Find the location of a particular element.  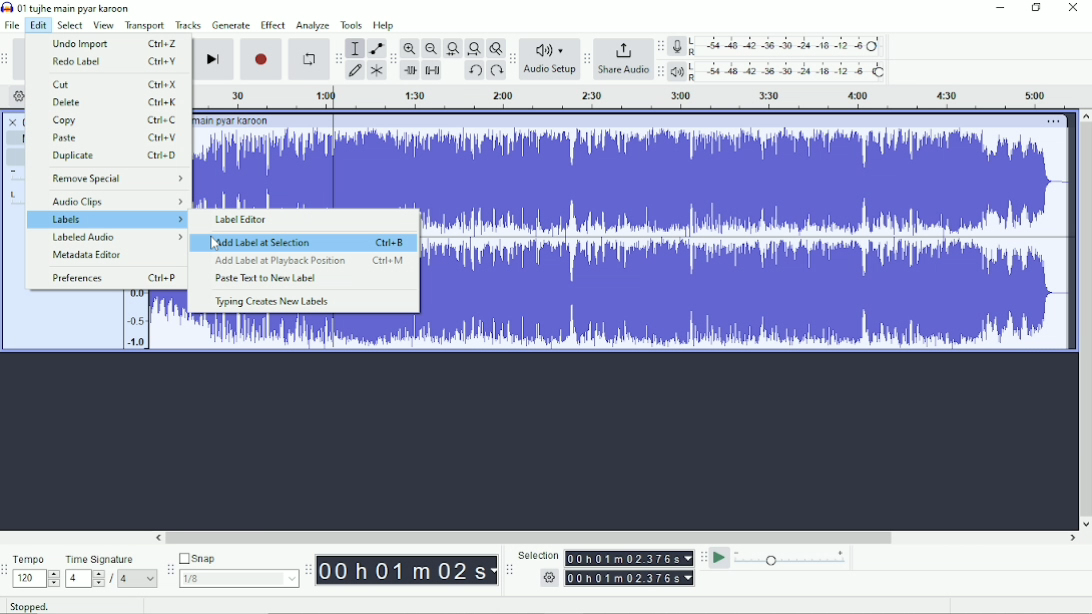

Delete is located at coordinates (116, 102).